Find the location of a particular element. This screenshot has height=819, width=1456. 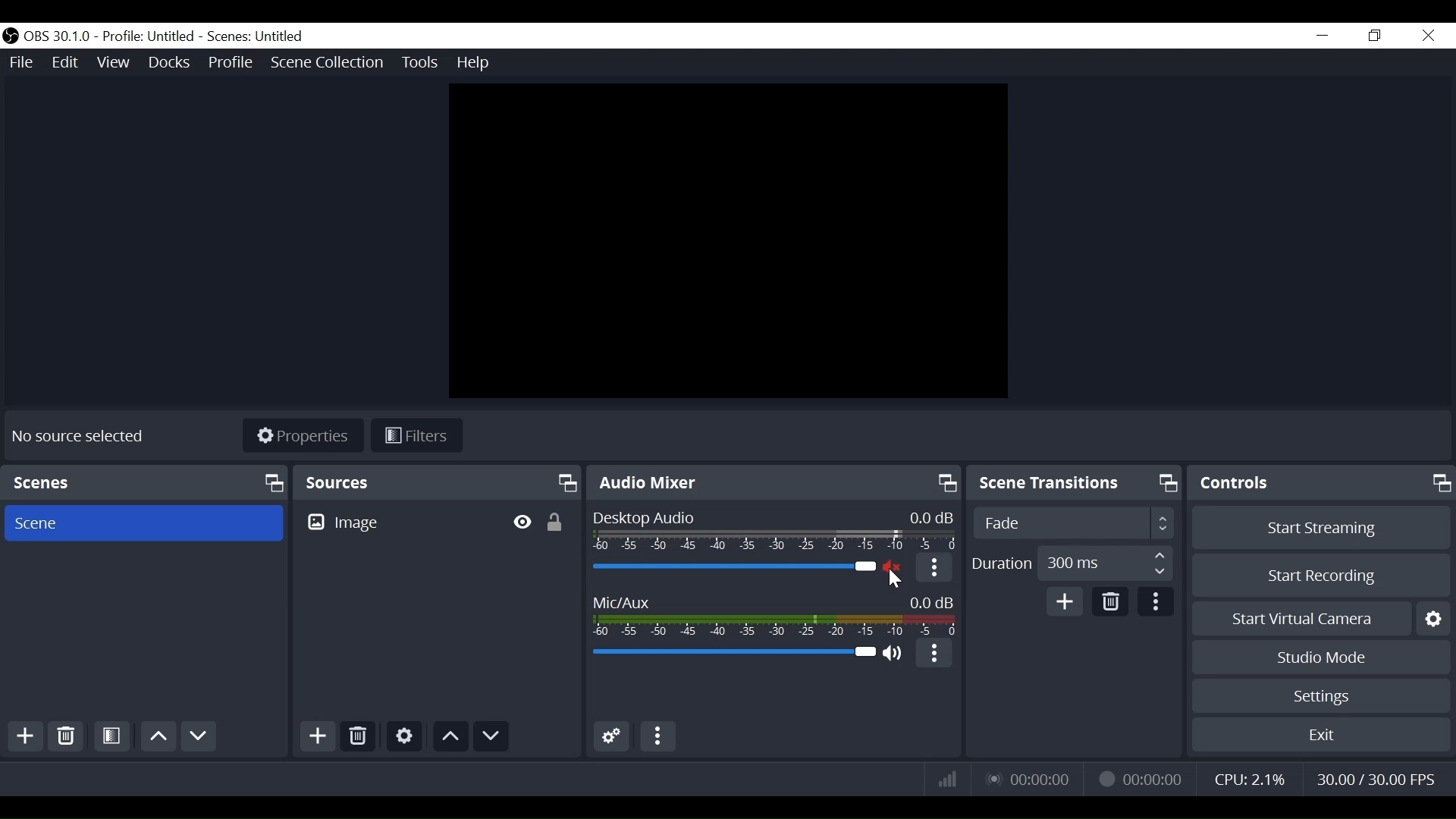

Scene Transition is located at coordinates (1076, 484).